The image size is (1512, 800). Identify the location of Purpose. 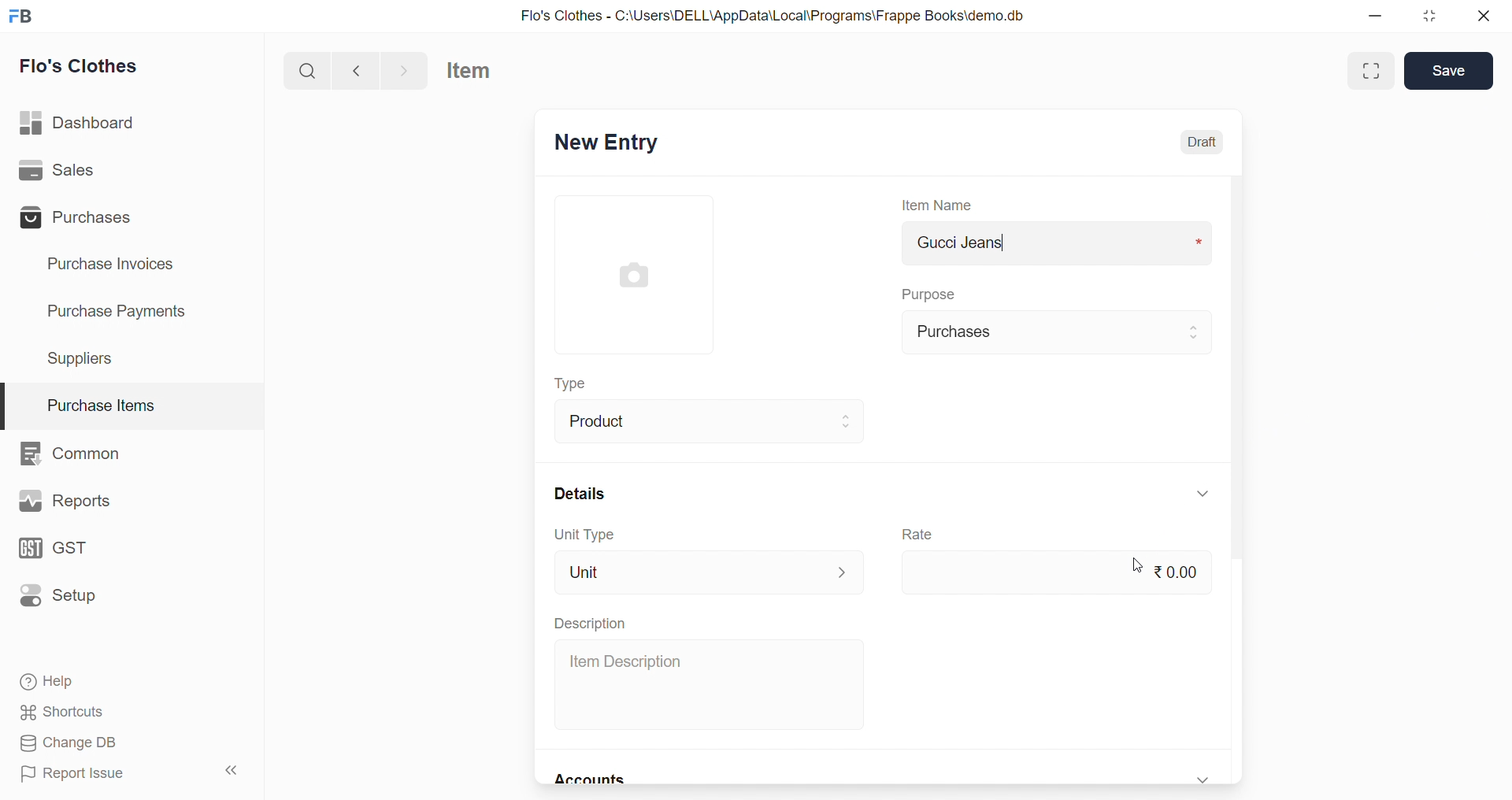
(932, 292).